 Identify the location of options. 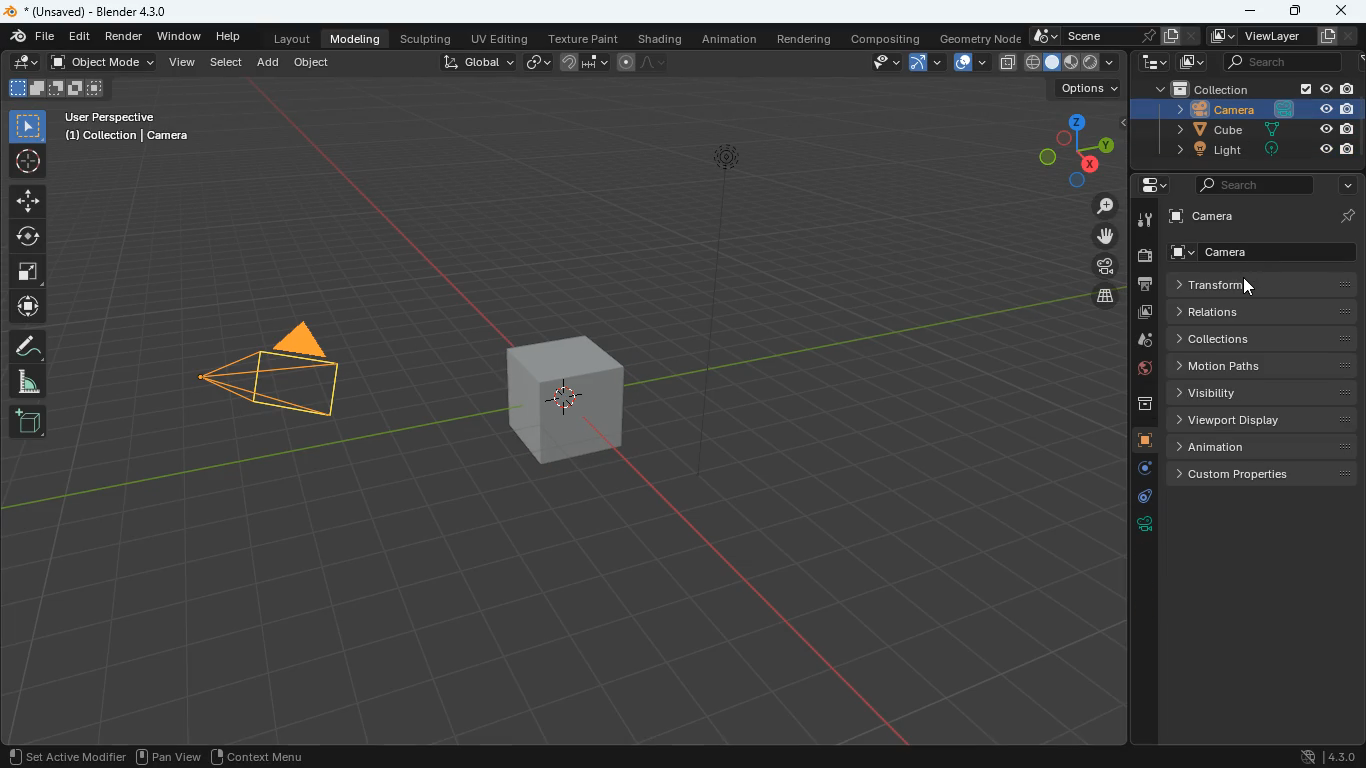
(1090, 89).